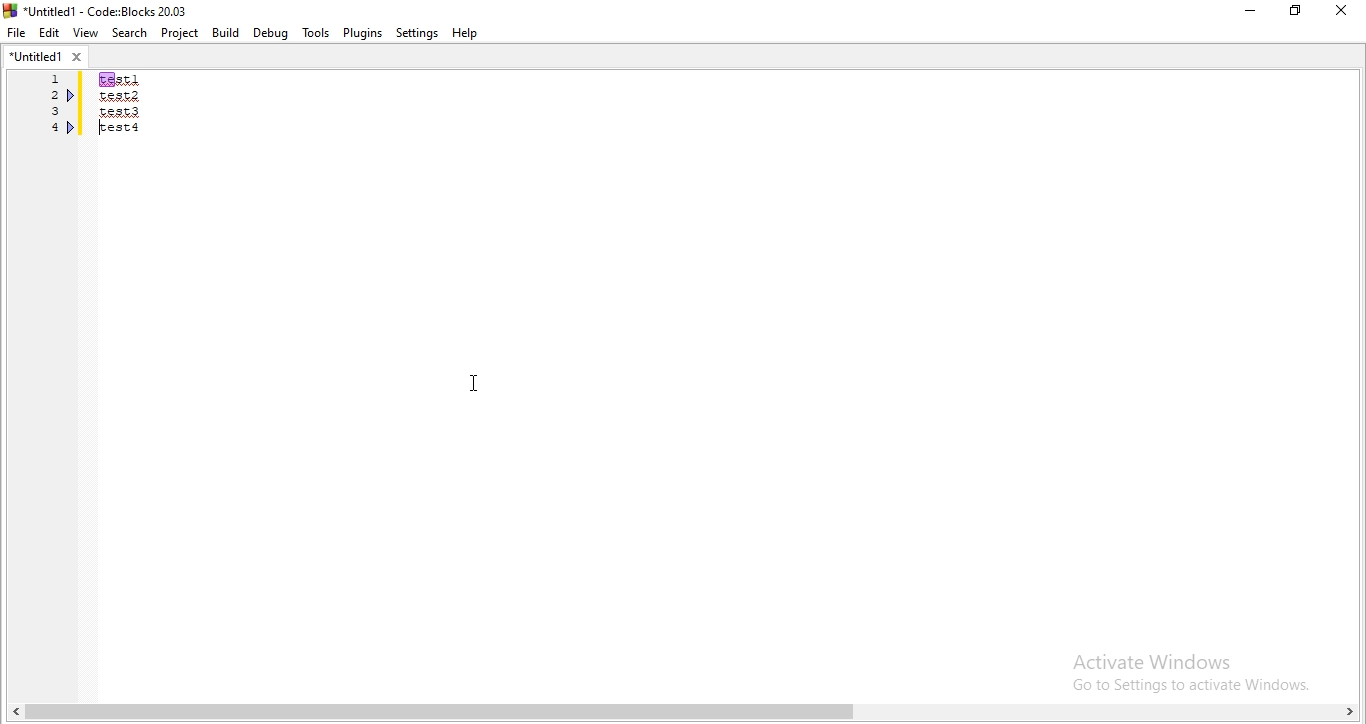 The height and width of the screenshot is (724, 1366). What do you see at coordinates (122, 104) in the screenshot?
I see `test1/test2/test3/test4 ` at bounding box center [122, 104].